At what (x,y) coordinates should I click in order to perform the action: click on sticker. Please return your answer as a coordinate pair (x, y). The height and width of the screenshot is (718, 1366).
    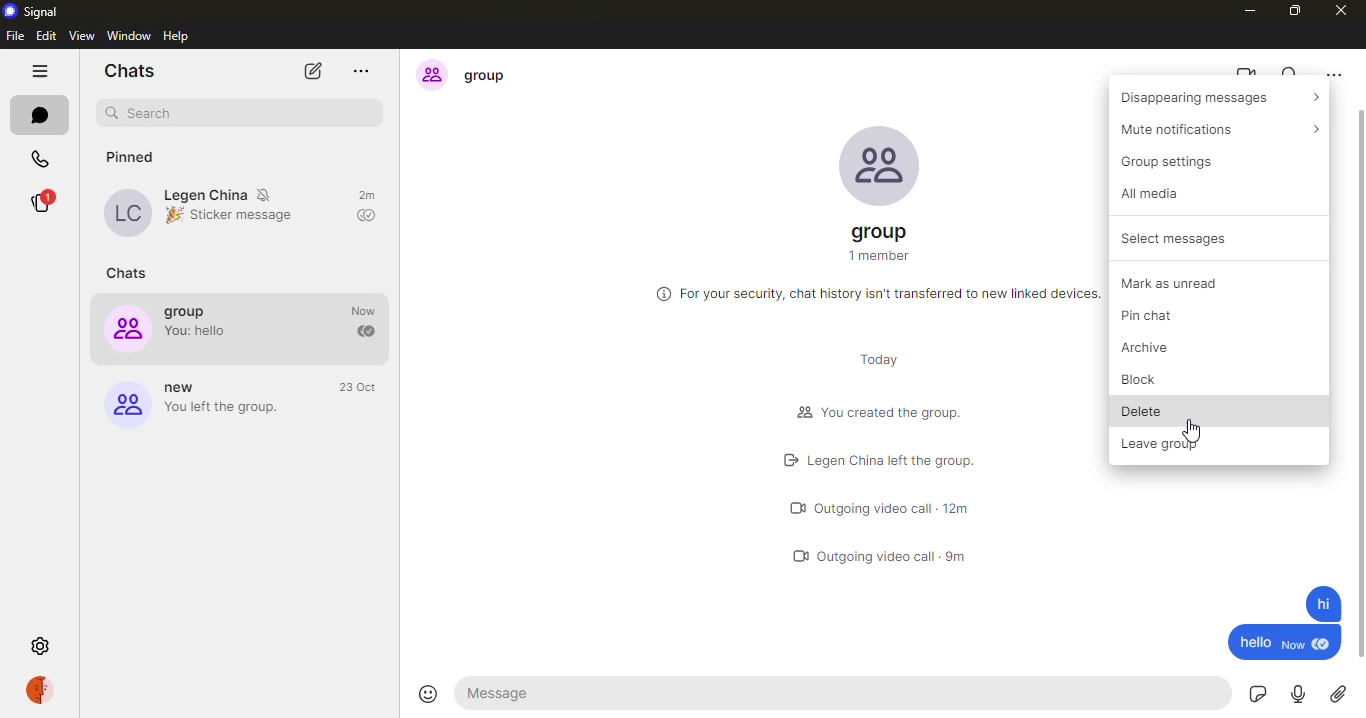
    Looking at the image, I should click on (1253, 696).